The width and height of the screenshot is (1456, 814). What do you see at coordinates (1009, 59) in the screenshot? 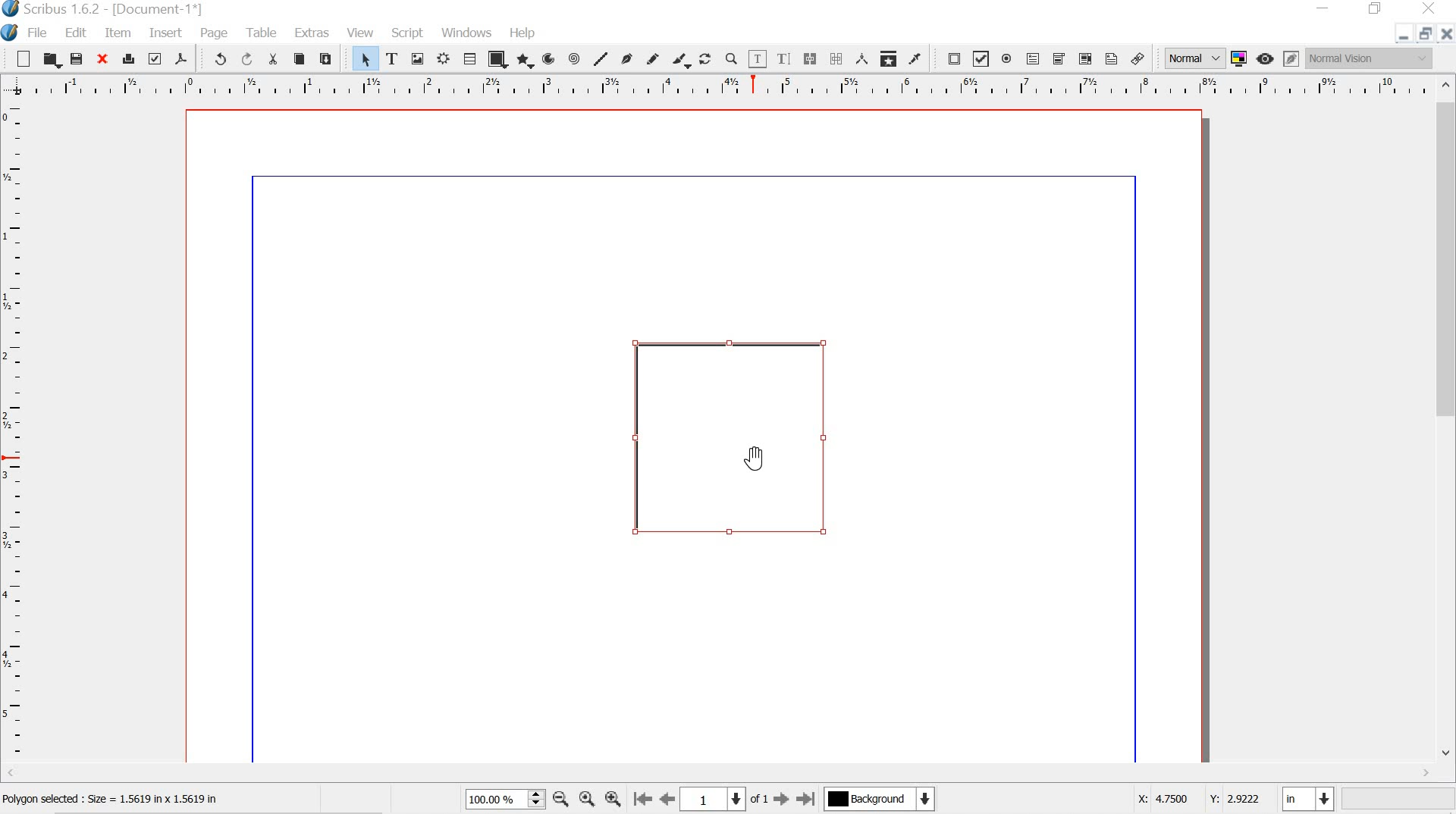
I see `pdf radio button` at bounding box center [1009, 59].